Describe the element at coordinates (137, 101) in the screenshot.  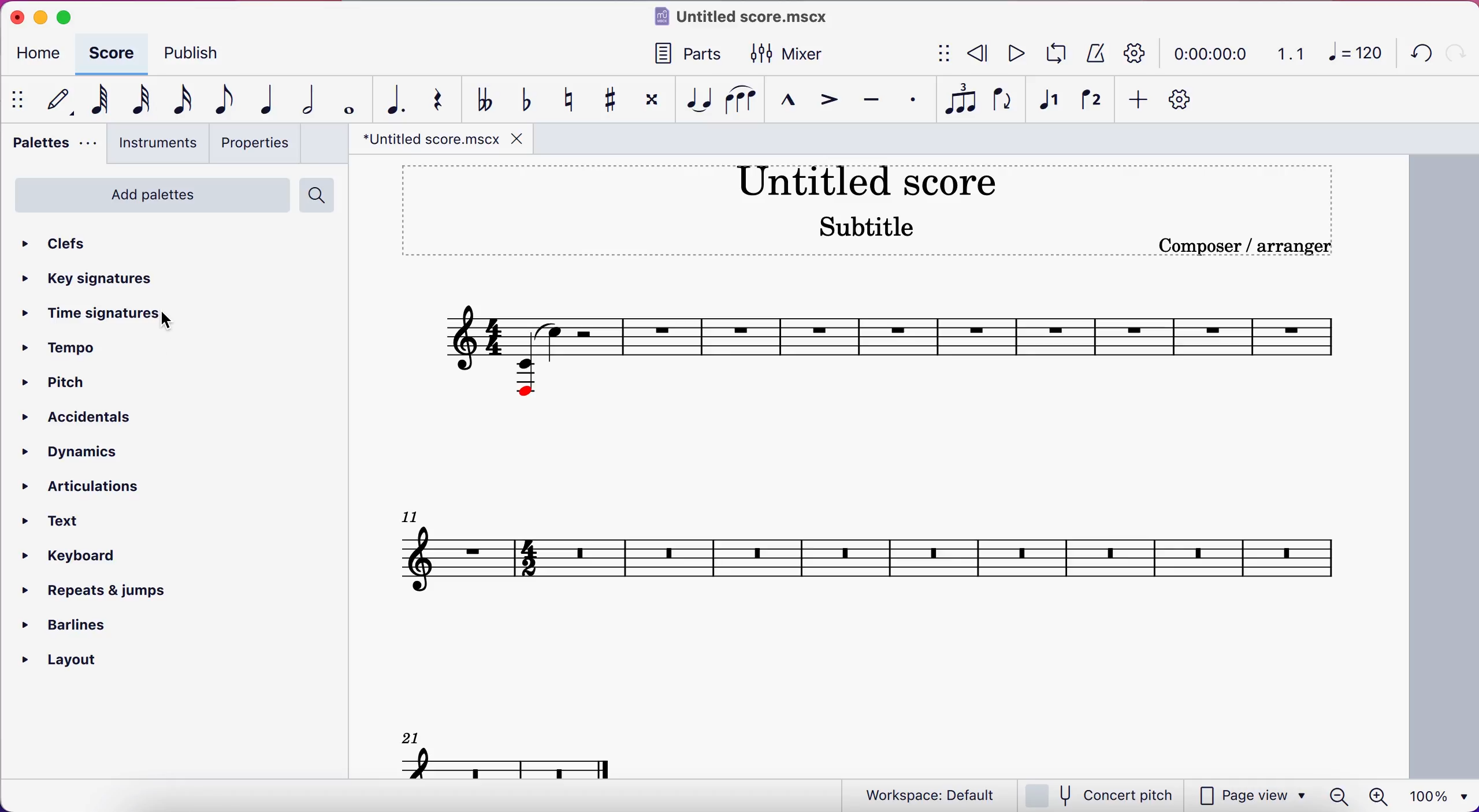
I see `32nd note` at that location.